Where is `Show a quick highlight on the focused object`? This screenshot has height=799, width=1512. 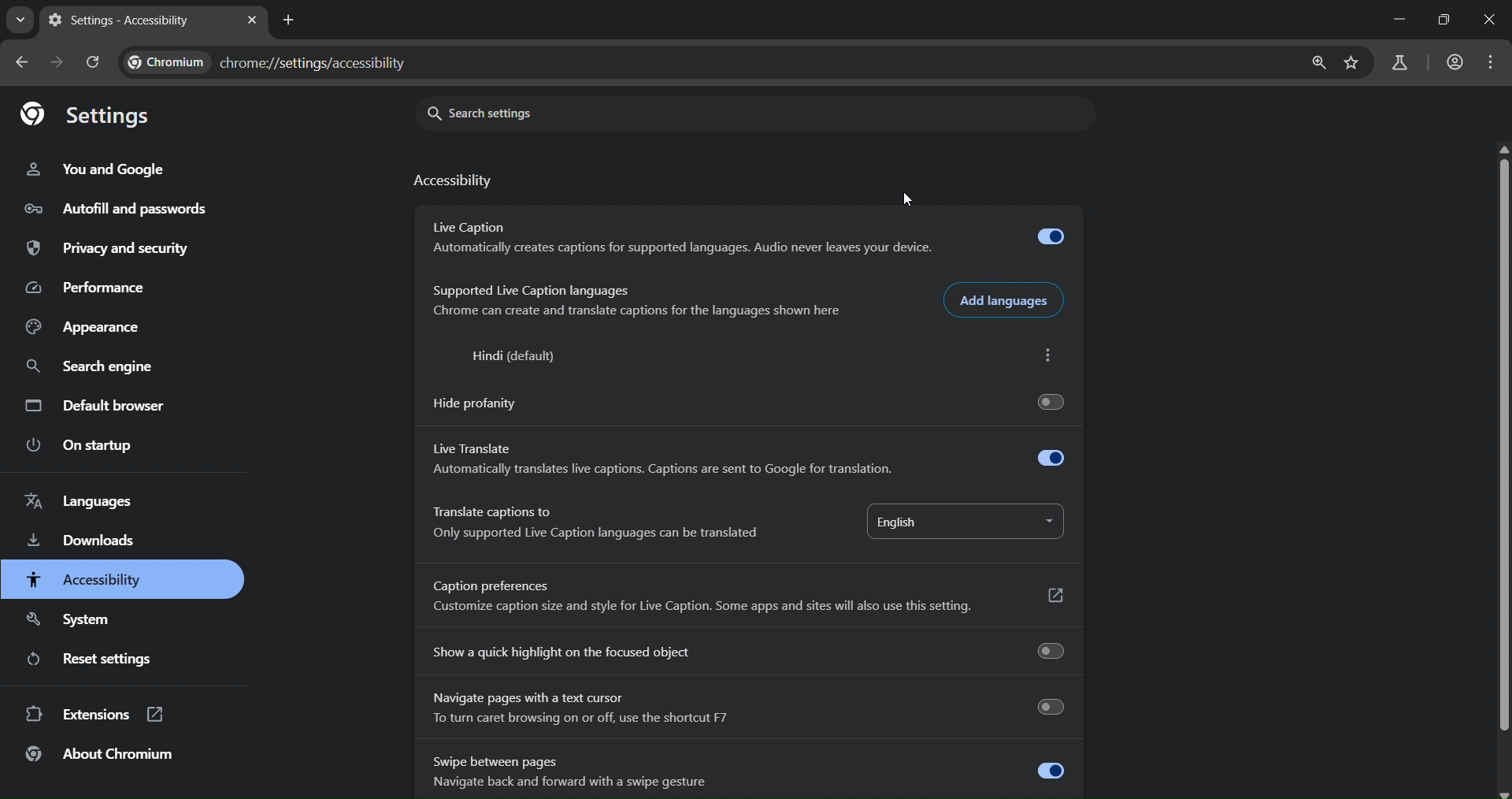 Show a quick highlight on the focused object is located at coordinates (558, 653).